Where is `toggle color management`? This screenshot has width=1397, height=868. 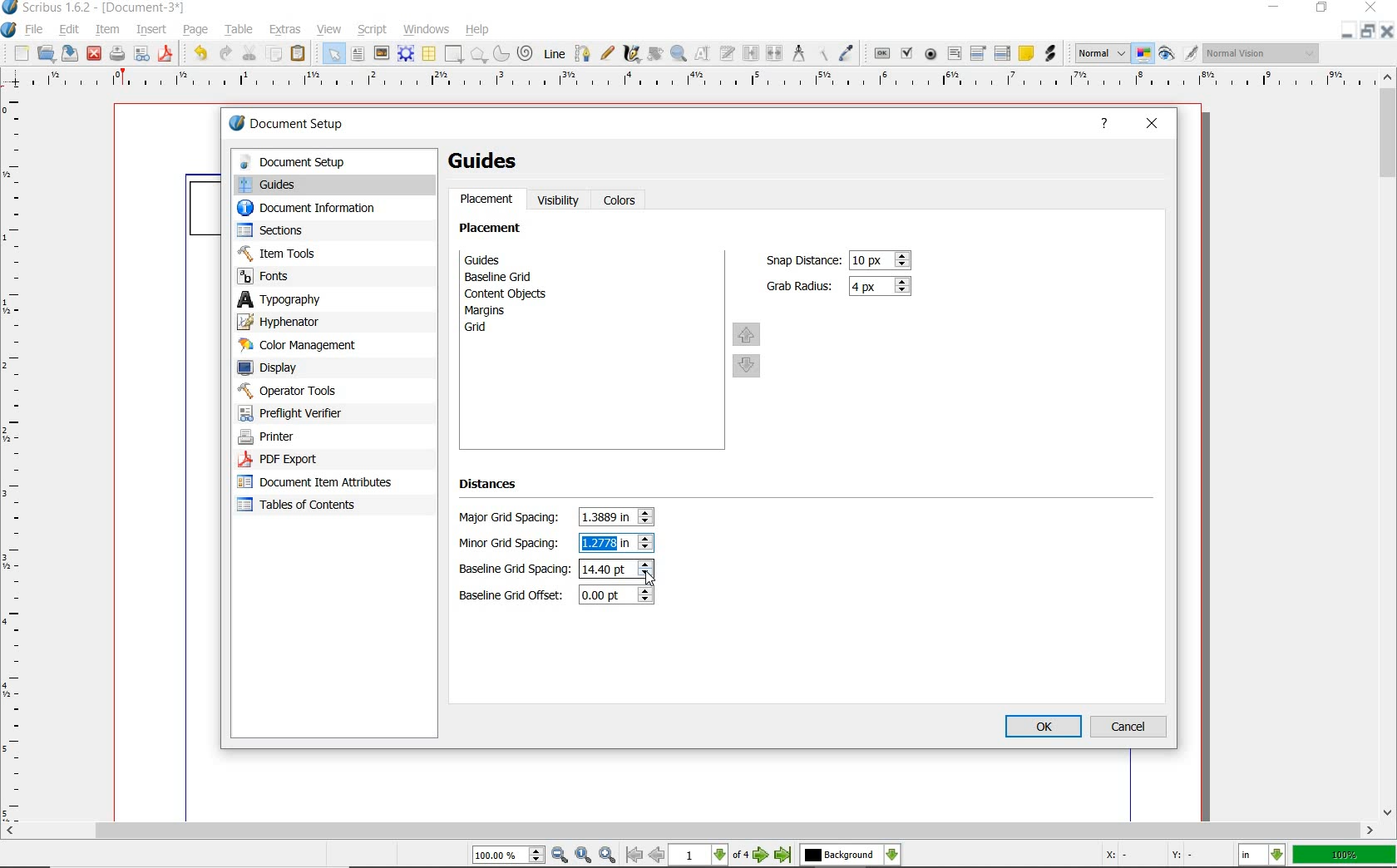
toggle color management is located at coordinates (1143, 54).